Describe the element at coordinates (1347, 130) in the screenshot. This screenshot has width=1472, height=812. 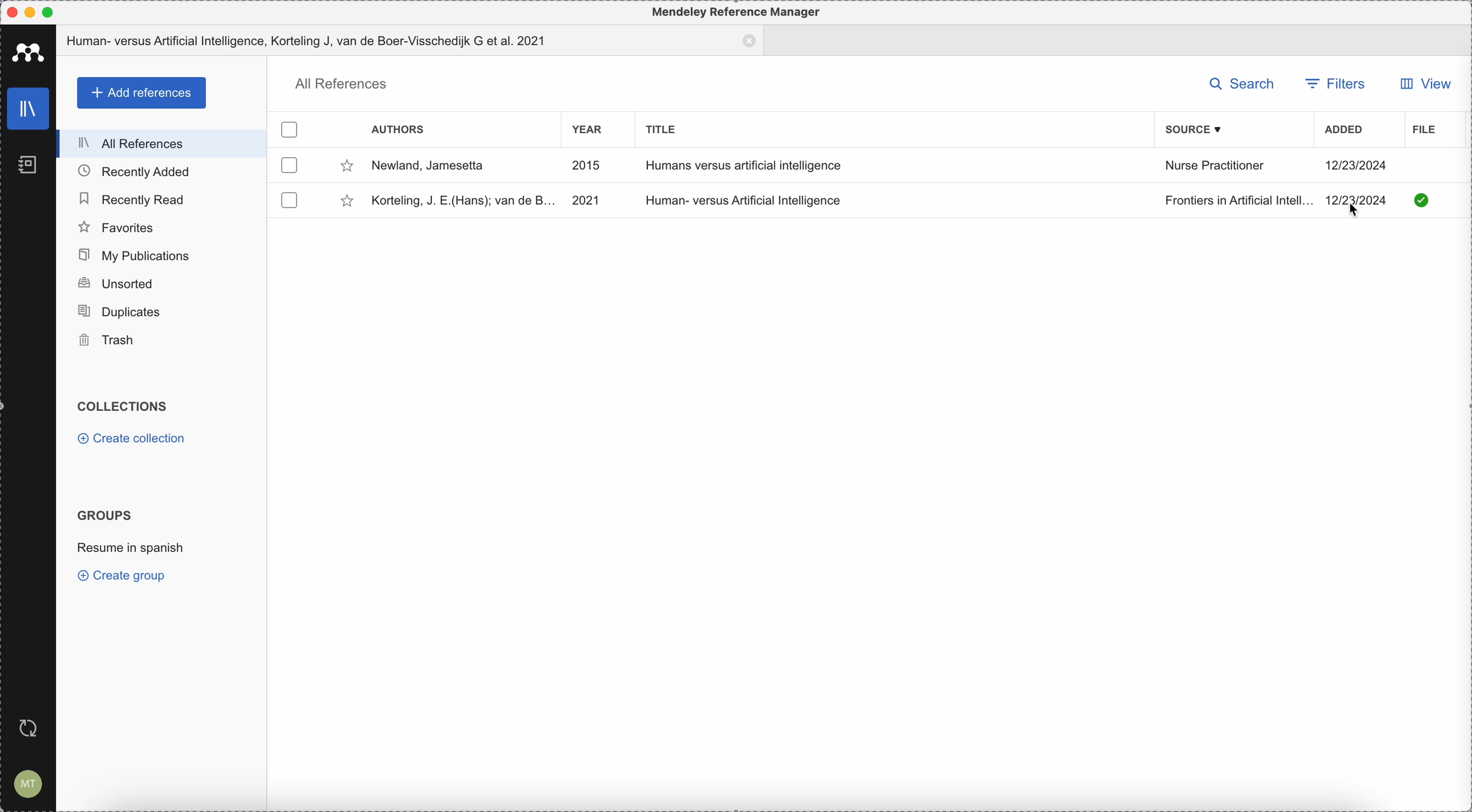
I see `added` at that location.